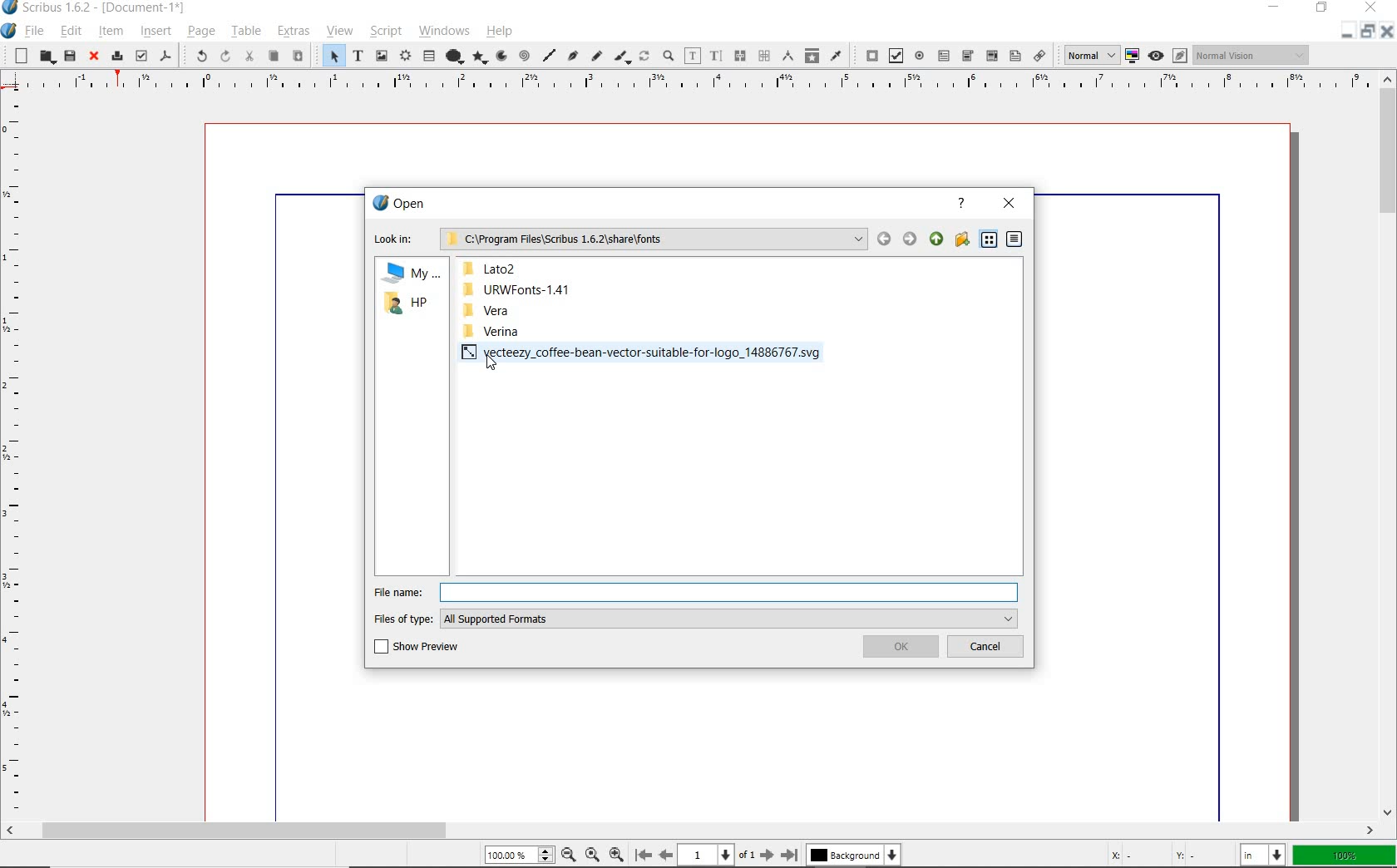 The image size is (1397, 868). Describe the element at coordinates (789, 56) in the screenshot. I see `measurements` at that location.